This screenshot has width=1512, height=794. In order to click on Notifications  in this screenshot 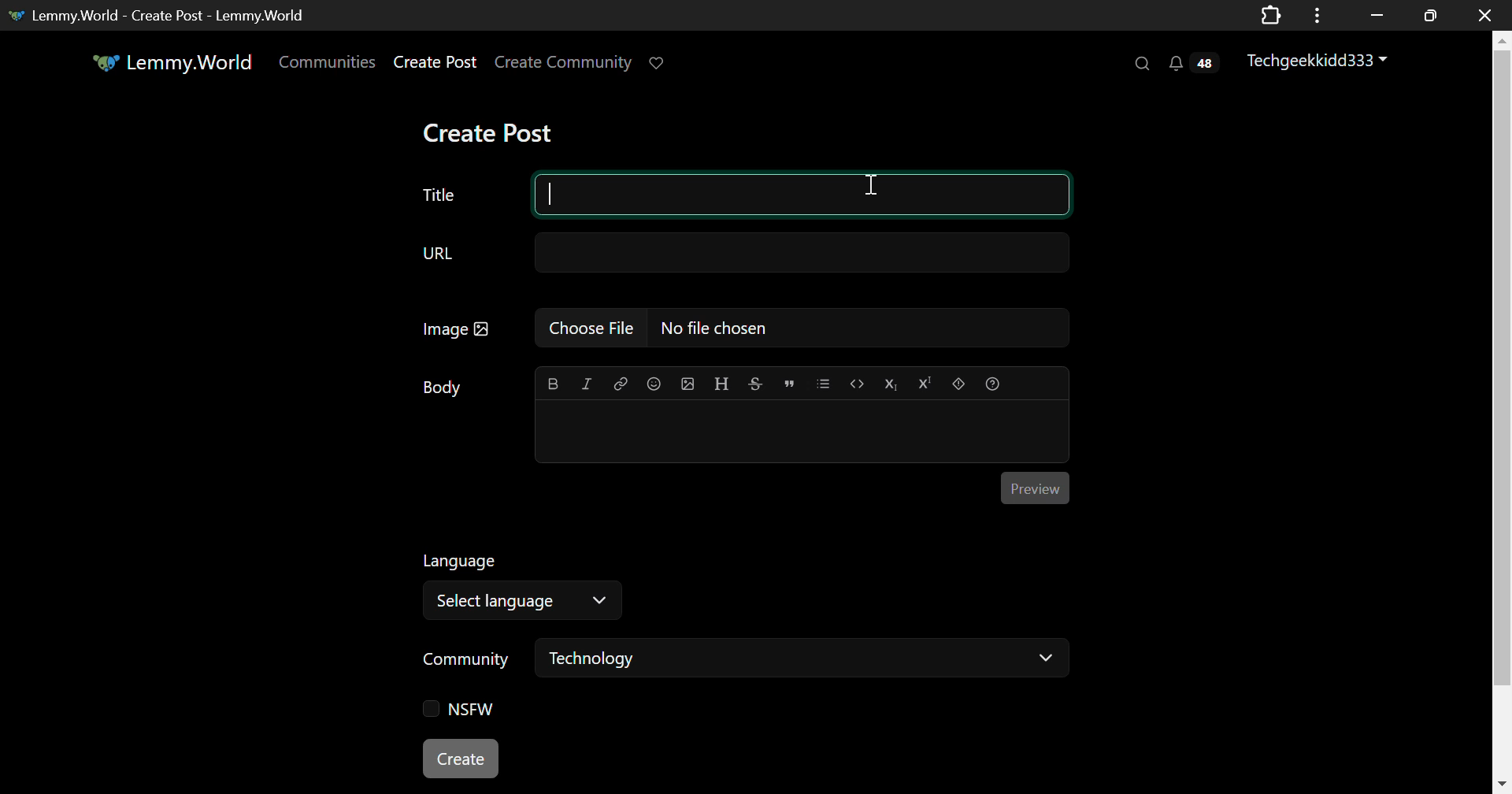, I will do `click(1191, 65)`.